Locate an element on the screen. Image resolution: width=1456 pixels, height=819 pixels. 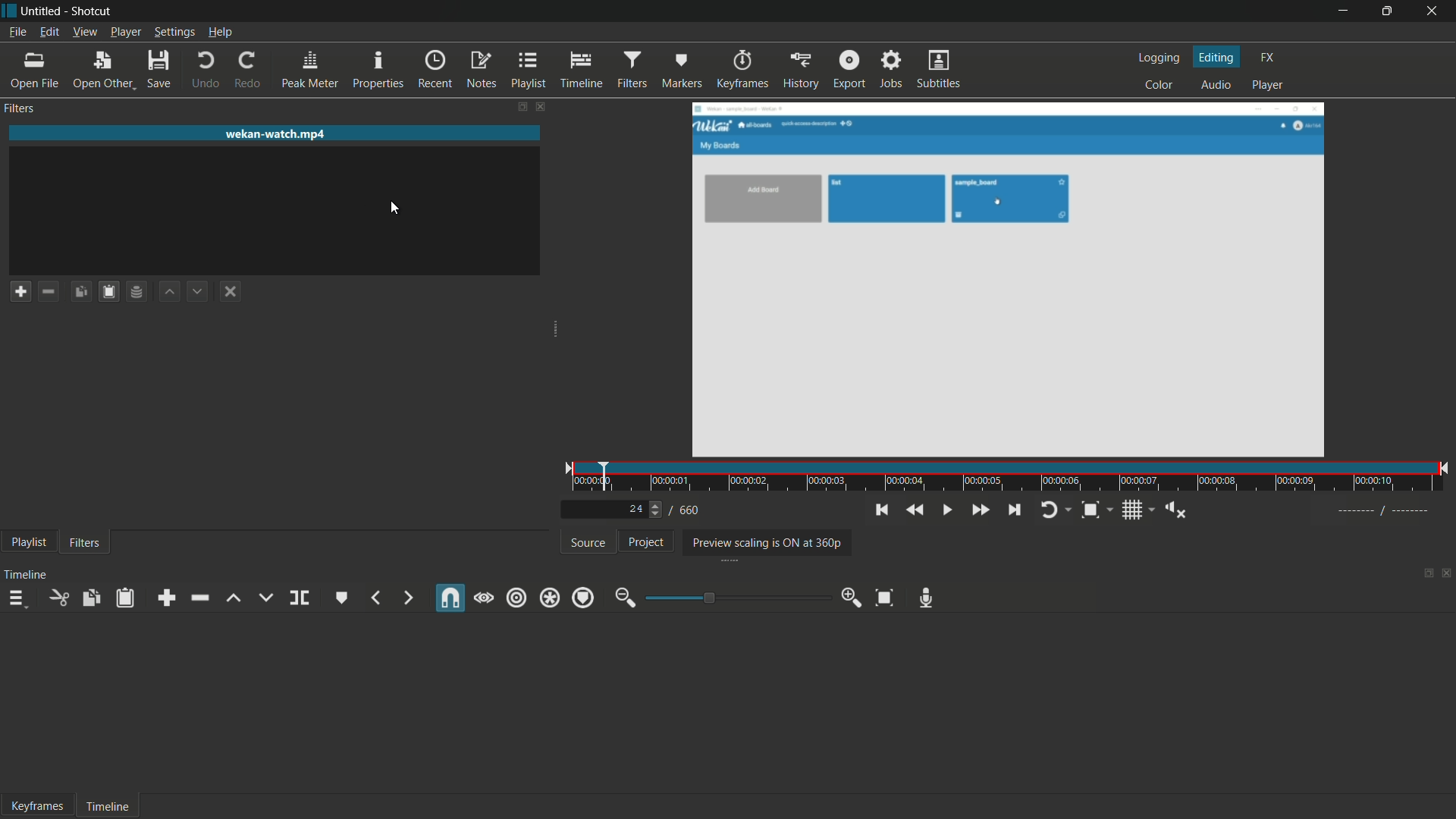
ripple markers is located at coordinates (583, 598).